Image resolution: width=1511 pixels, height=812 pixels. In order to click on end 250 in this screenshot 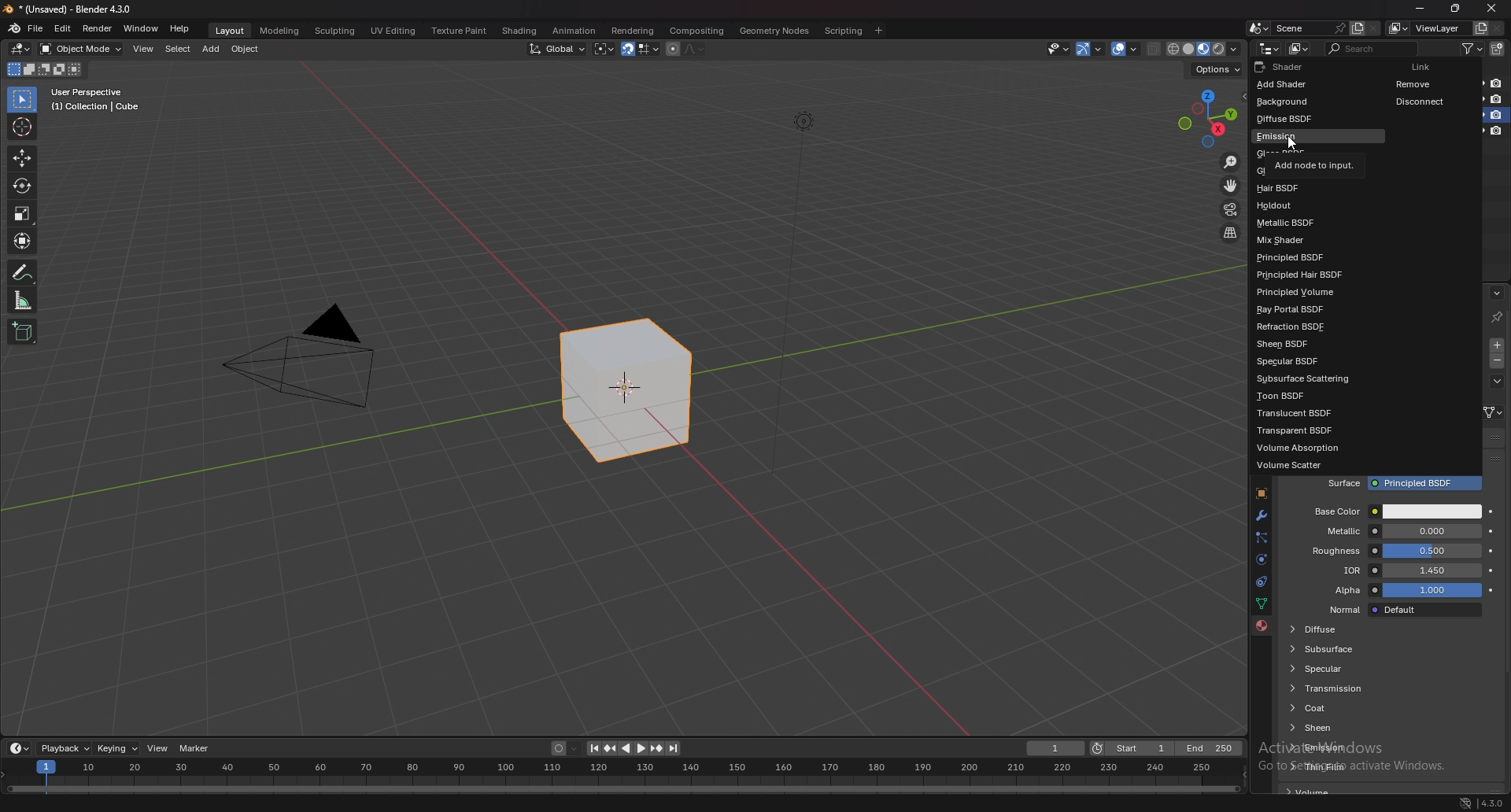, I will do `click(1210, 748)`.